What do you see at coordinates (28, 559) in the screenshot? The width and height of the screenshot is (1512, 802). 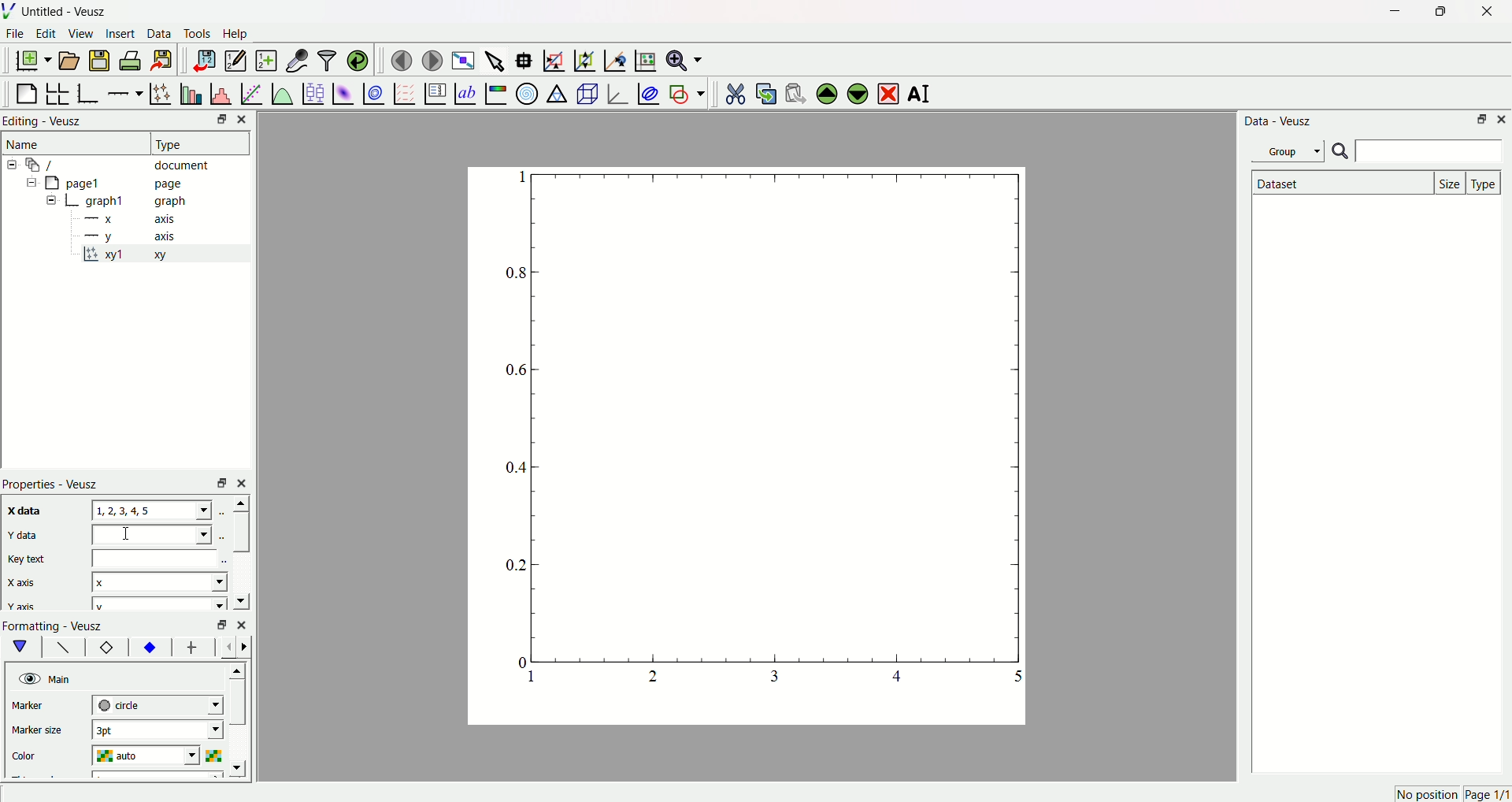 I see `Key text` at bounding box center [28, 559].